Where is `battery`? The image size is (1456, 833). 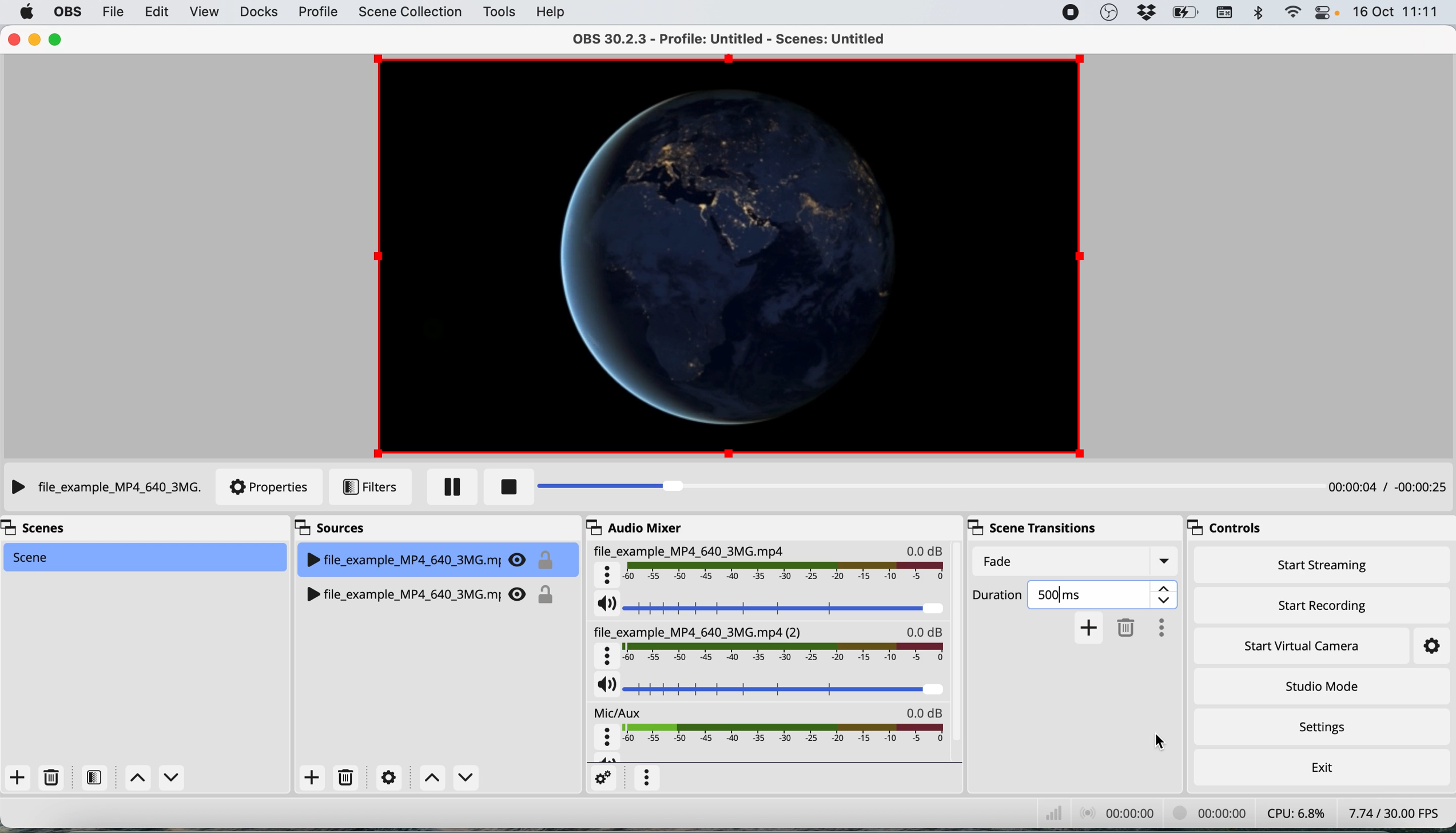 battery is located at coordinates (1186, 14).